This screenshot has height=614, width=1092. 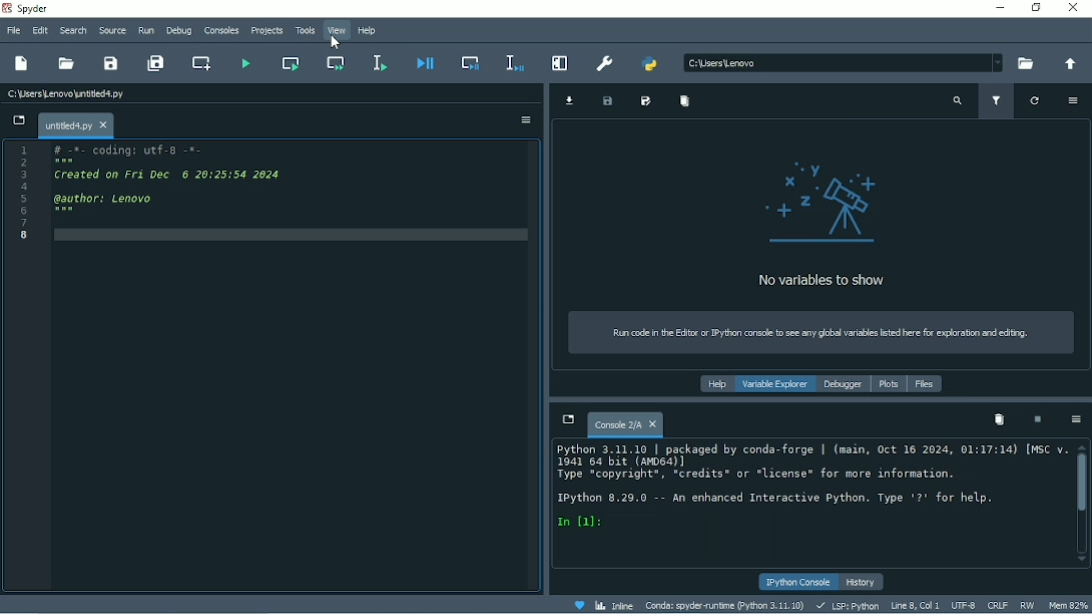 I want to click on PYTHONPATH manager, so click(x=649, y=65).